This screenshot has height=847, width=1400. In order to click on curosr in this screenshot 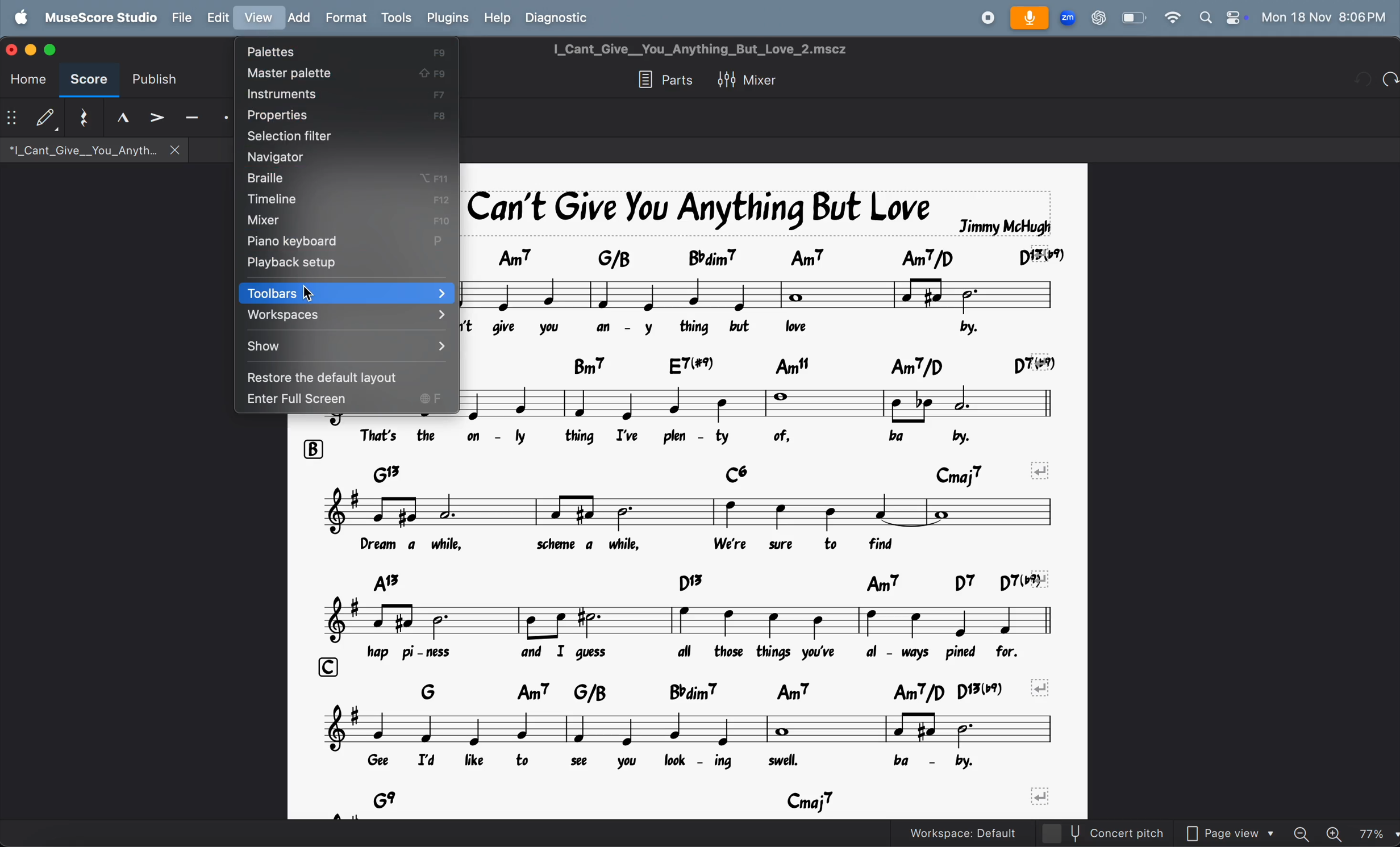, I will do `click(309, 294)`.